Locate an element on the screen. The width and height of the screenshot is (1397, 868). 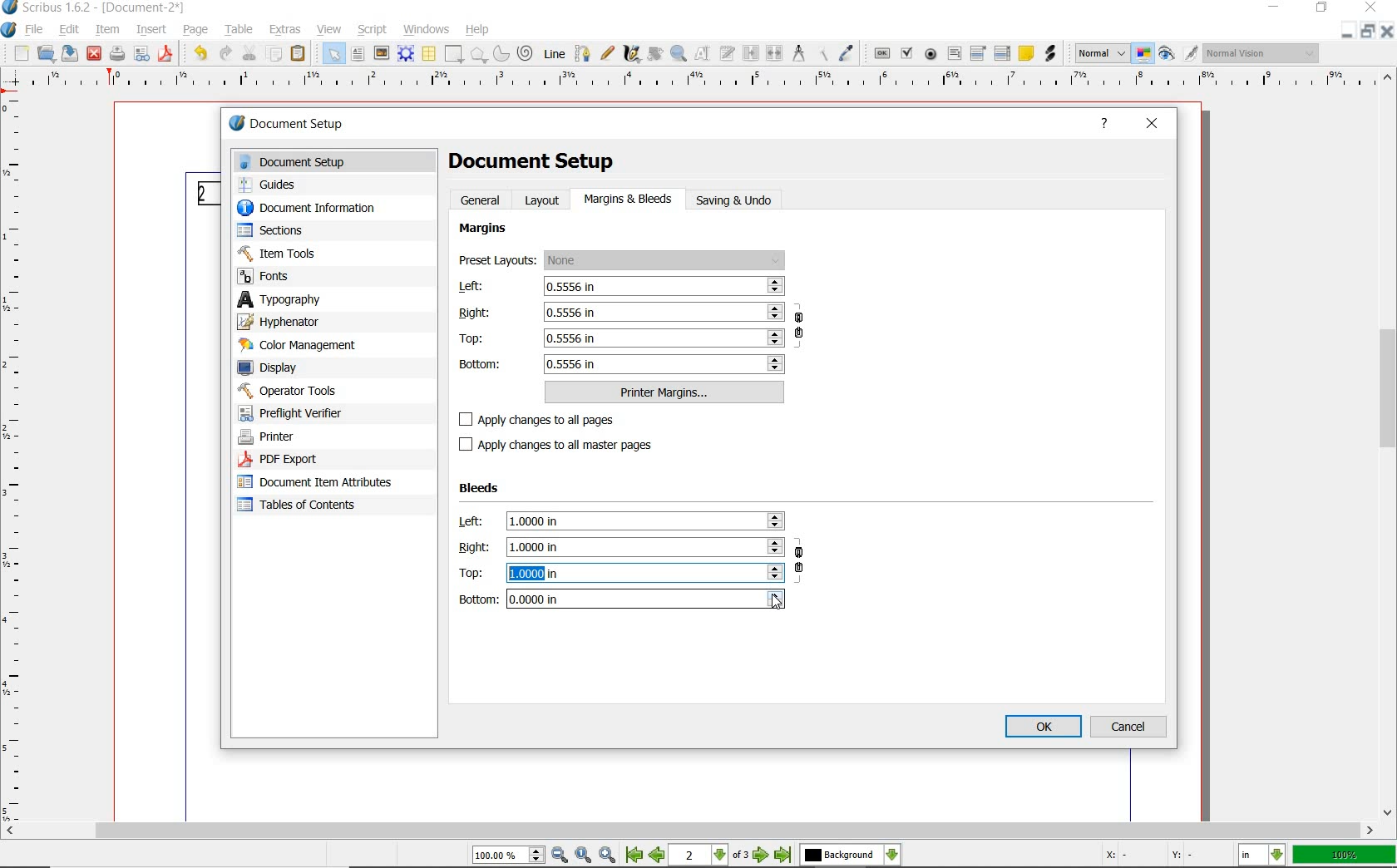
undo is located at coordinates (198, 53).